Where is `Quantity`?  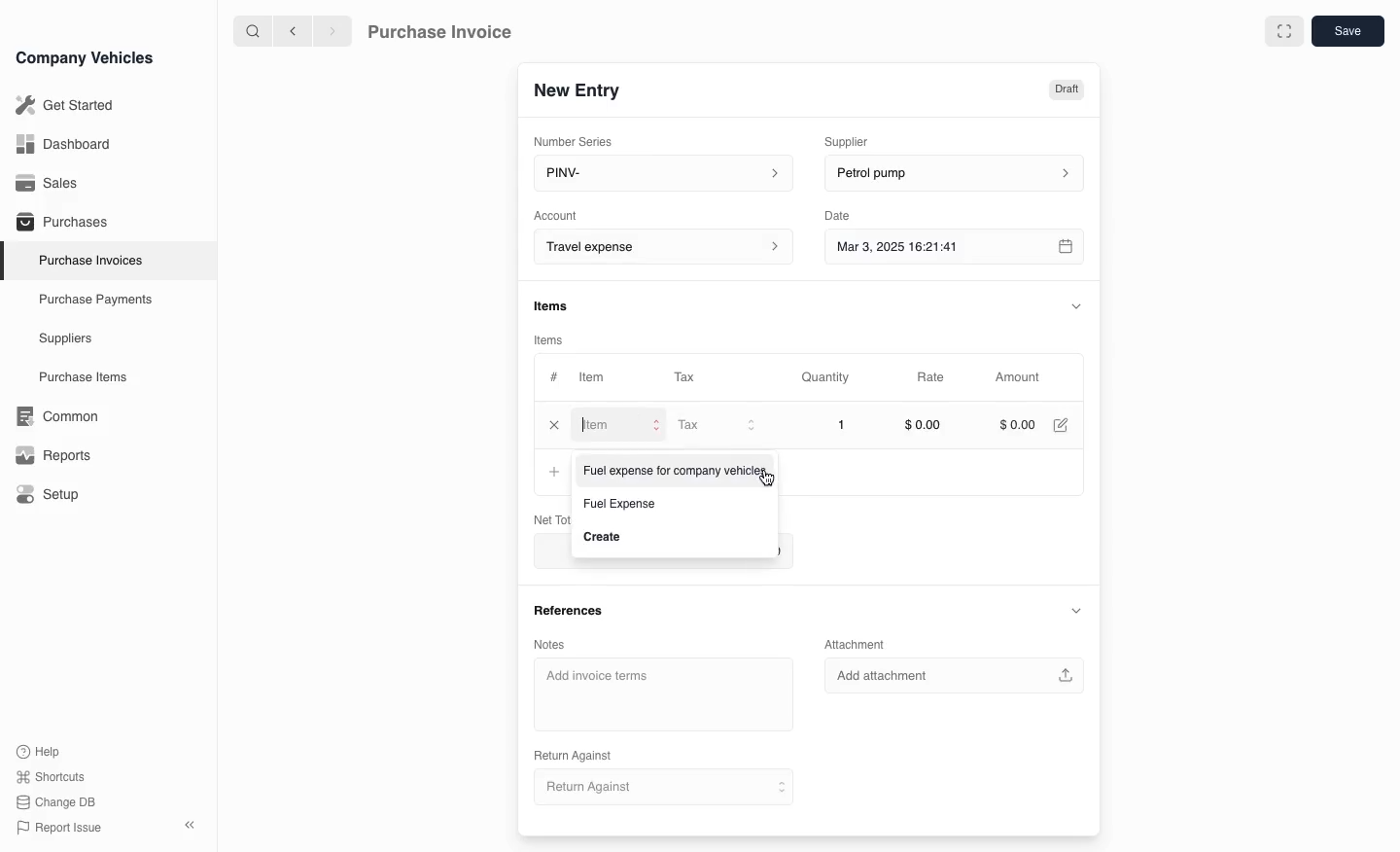 Quantity is located at coordinates (828, 377).